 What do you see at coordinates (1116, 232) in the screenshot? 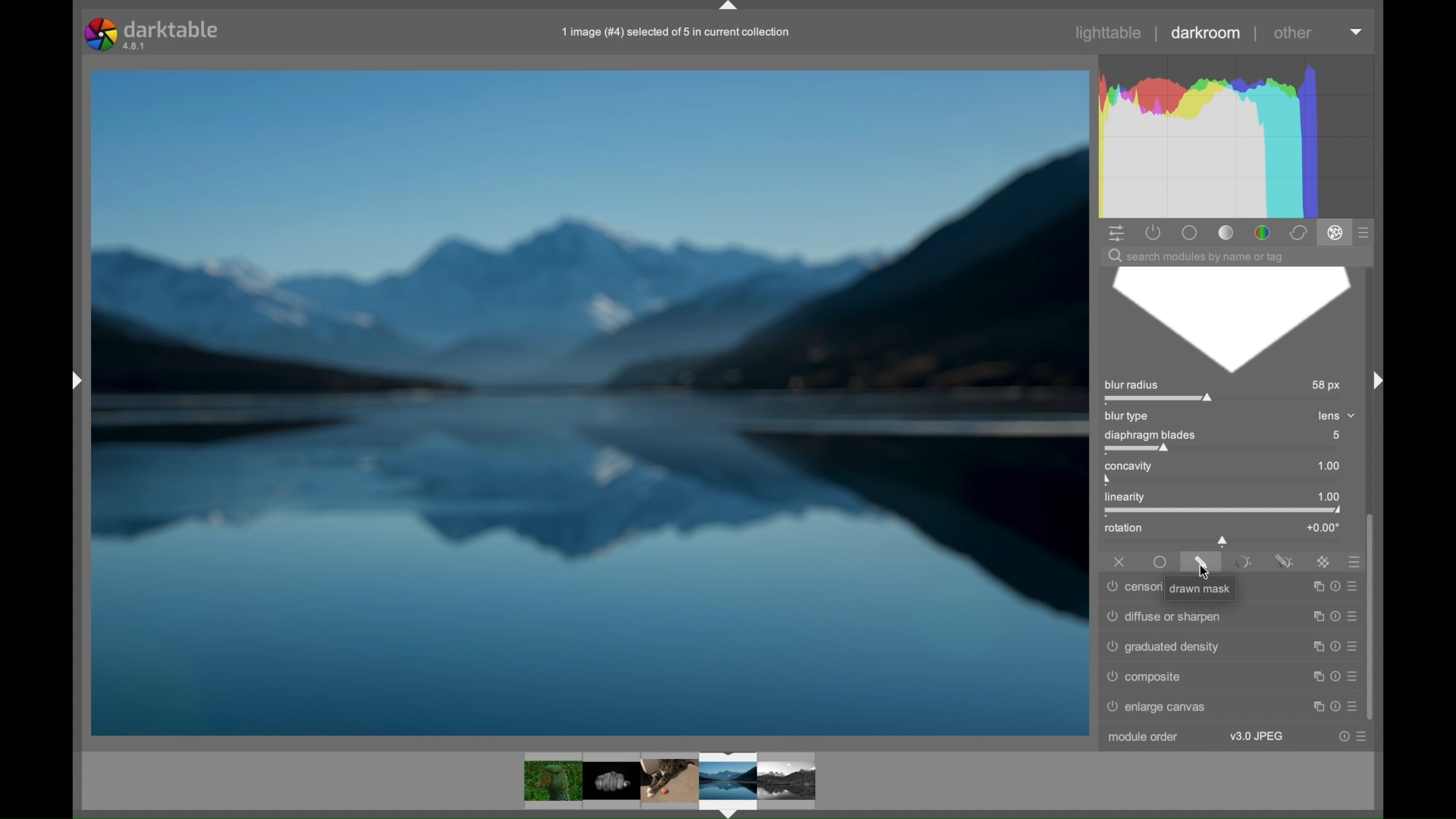
I see `show quick access  panel` at bounding box center [1116, 232].